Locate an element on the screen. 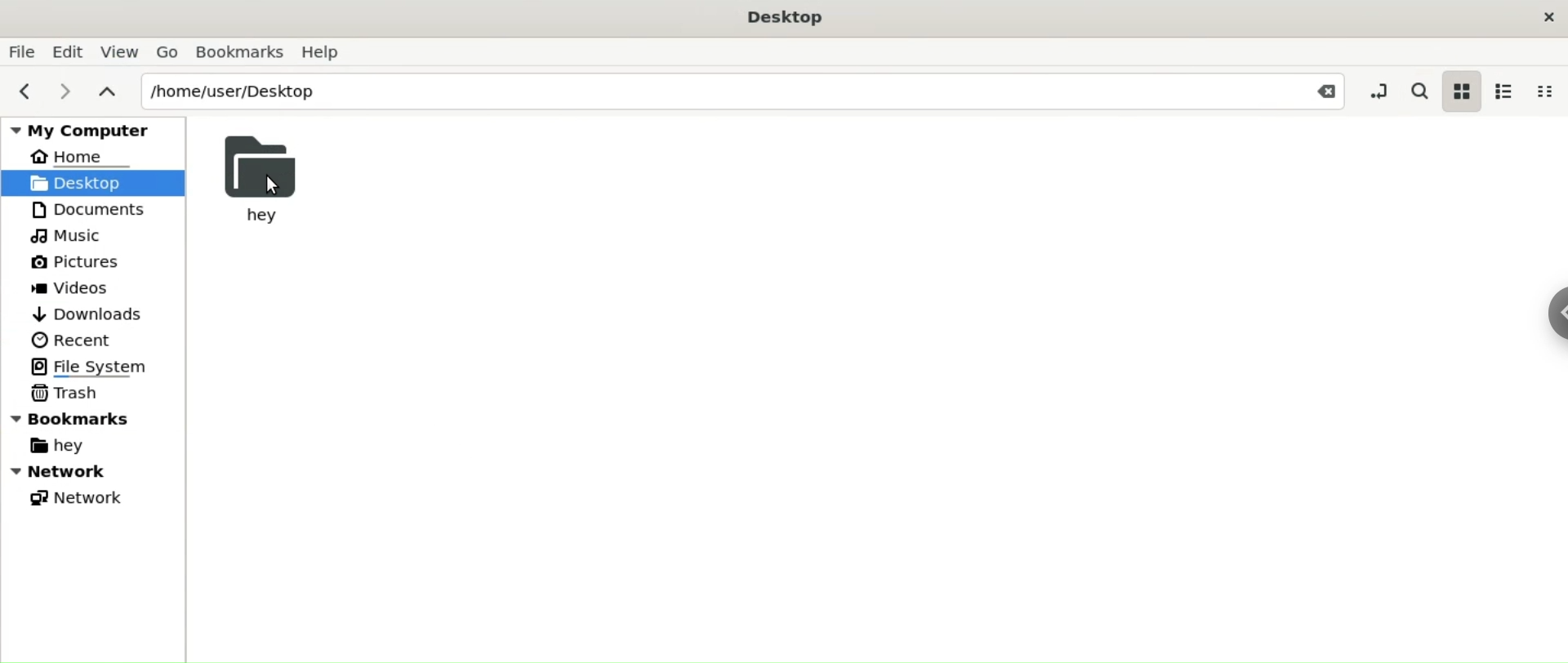 The image size is (1568, 663). list view is located at coordinates (1508, 91).